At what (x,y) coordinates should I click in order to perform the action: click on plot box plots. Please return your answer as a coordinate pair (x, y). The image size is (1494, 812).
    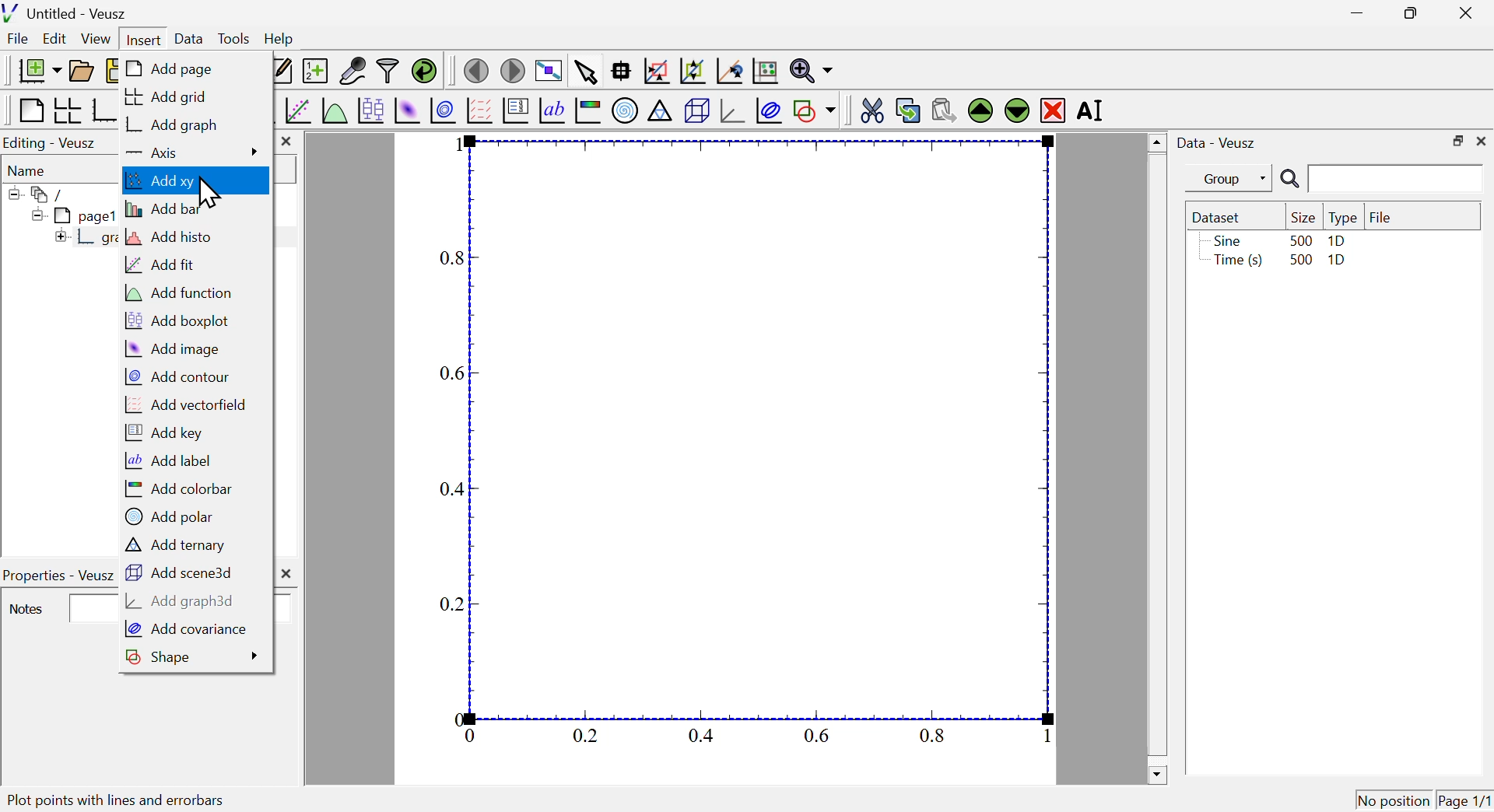
    Looking at the image, I should click on (370, 109).